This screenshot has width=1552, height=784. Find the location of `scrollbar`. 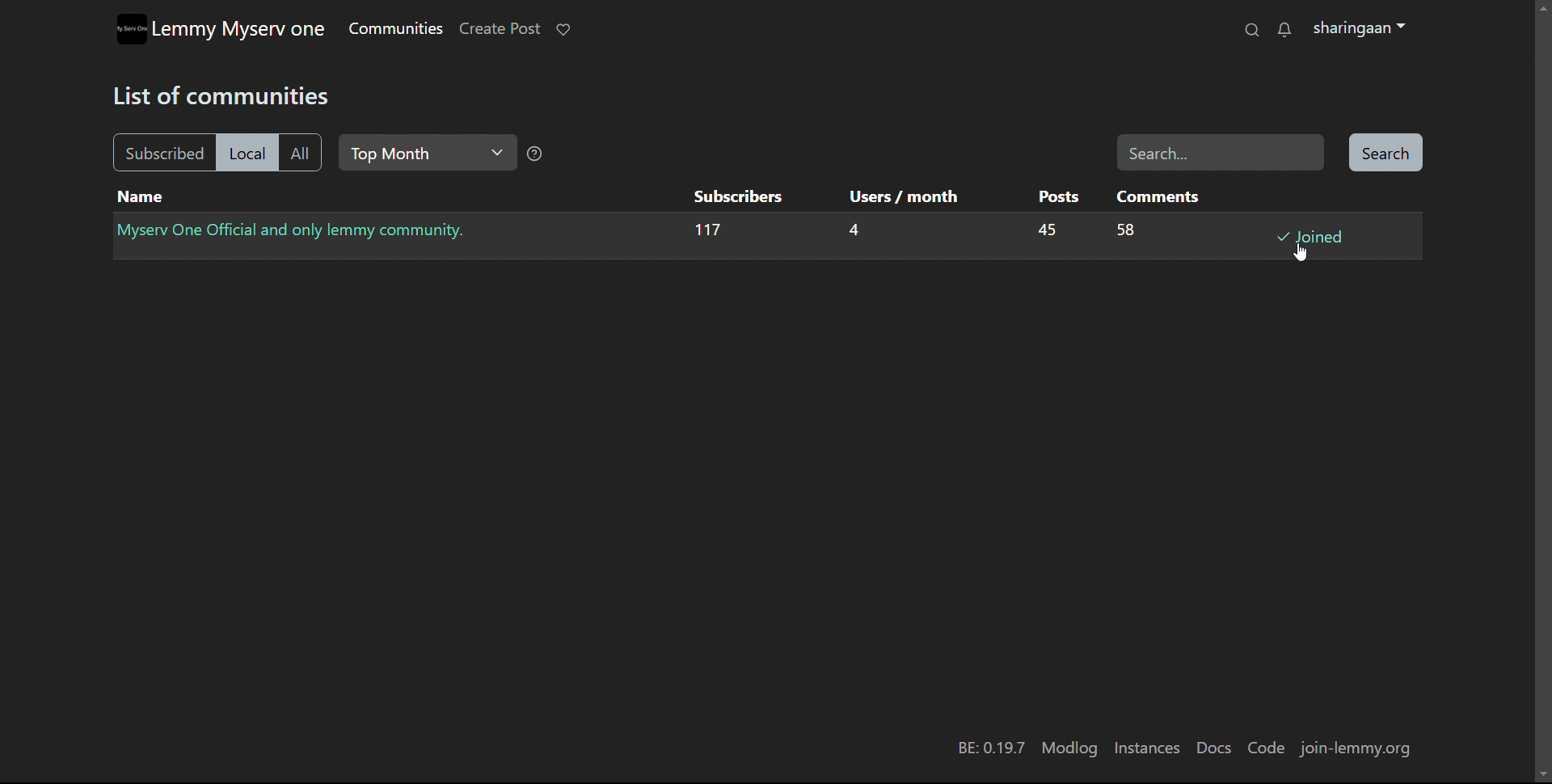

scrollbar is located at coordinates (1544, 398).